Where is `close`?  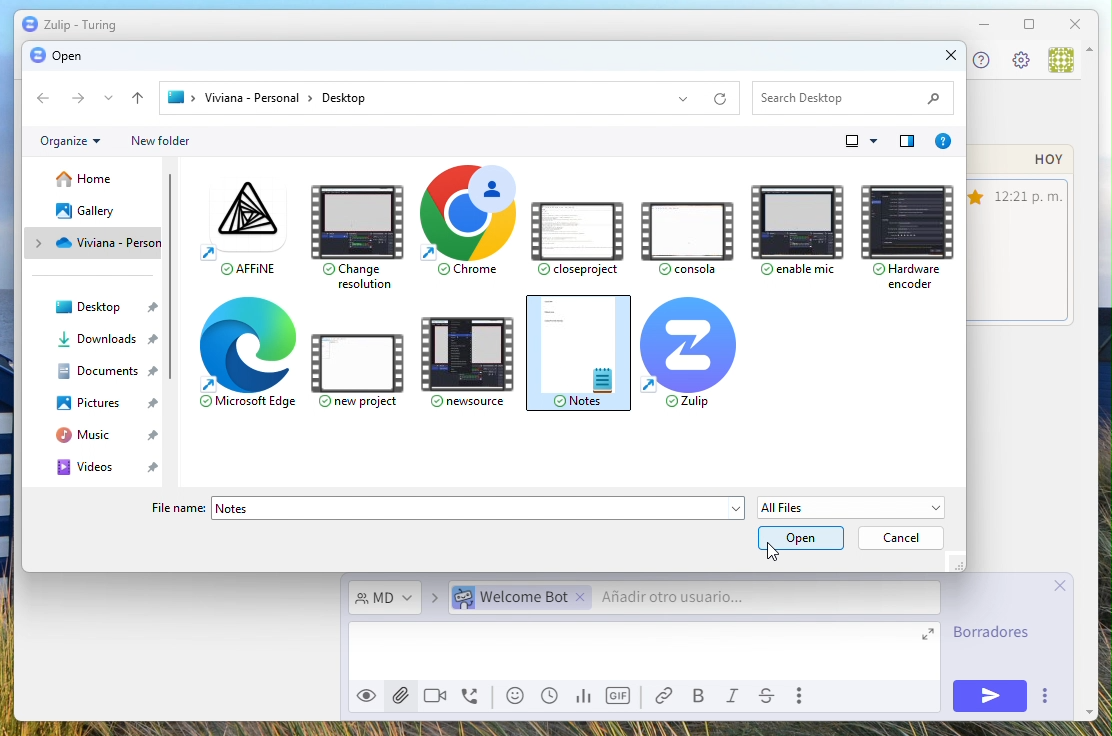 close is located at coordinates (939, 58).